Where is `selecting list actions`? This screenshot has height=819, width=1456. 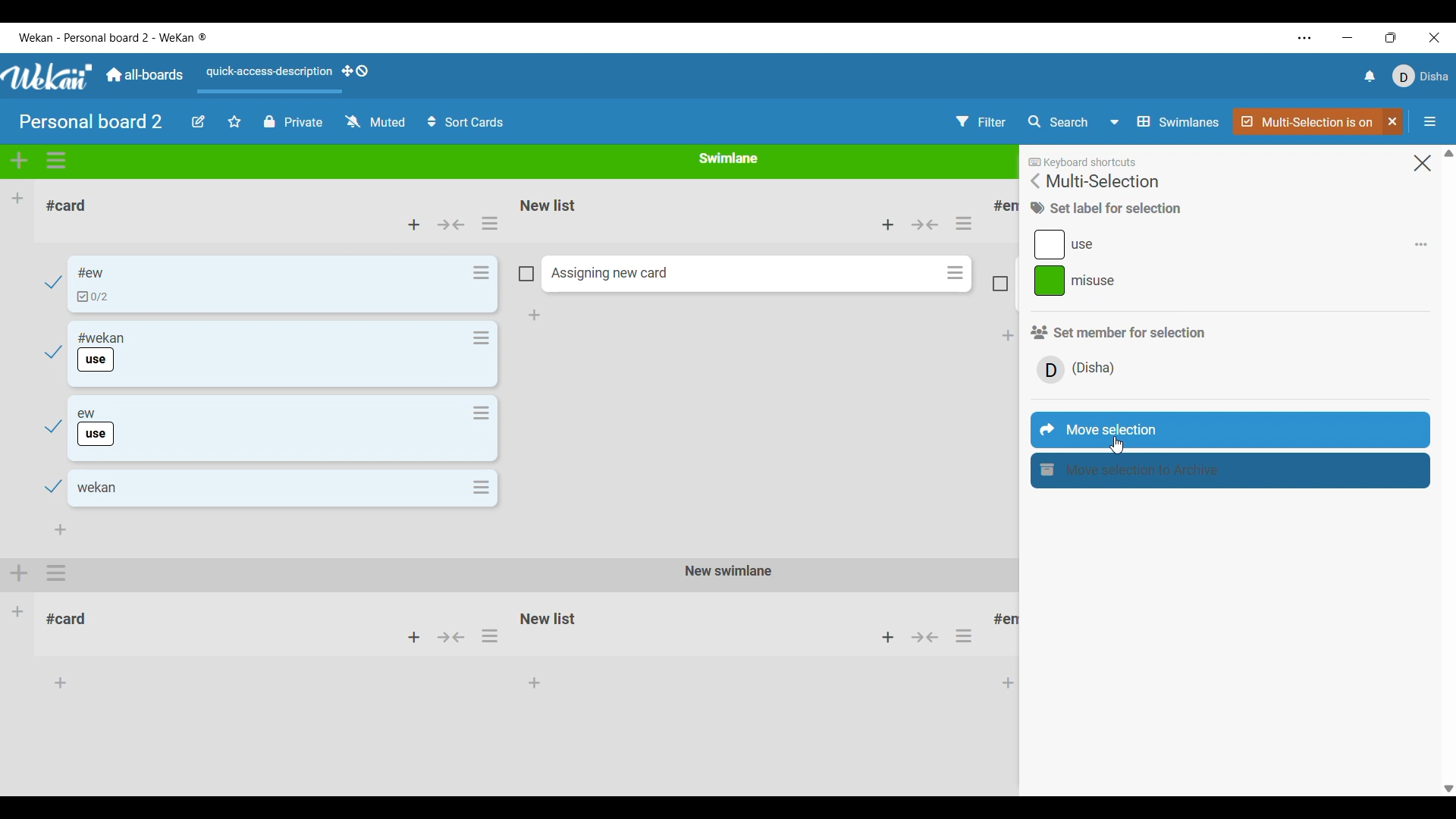
selecting list actions is located at coordinates (495, 221).